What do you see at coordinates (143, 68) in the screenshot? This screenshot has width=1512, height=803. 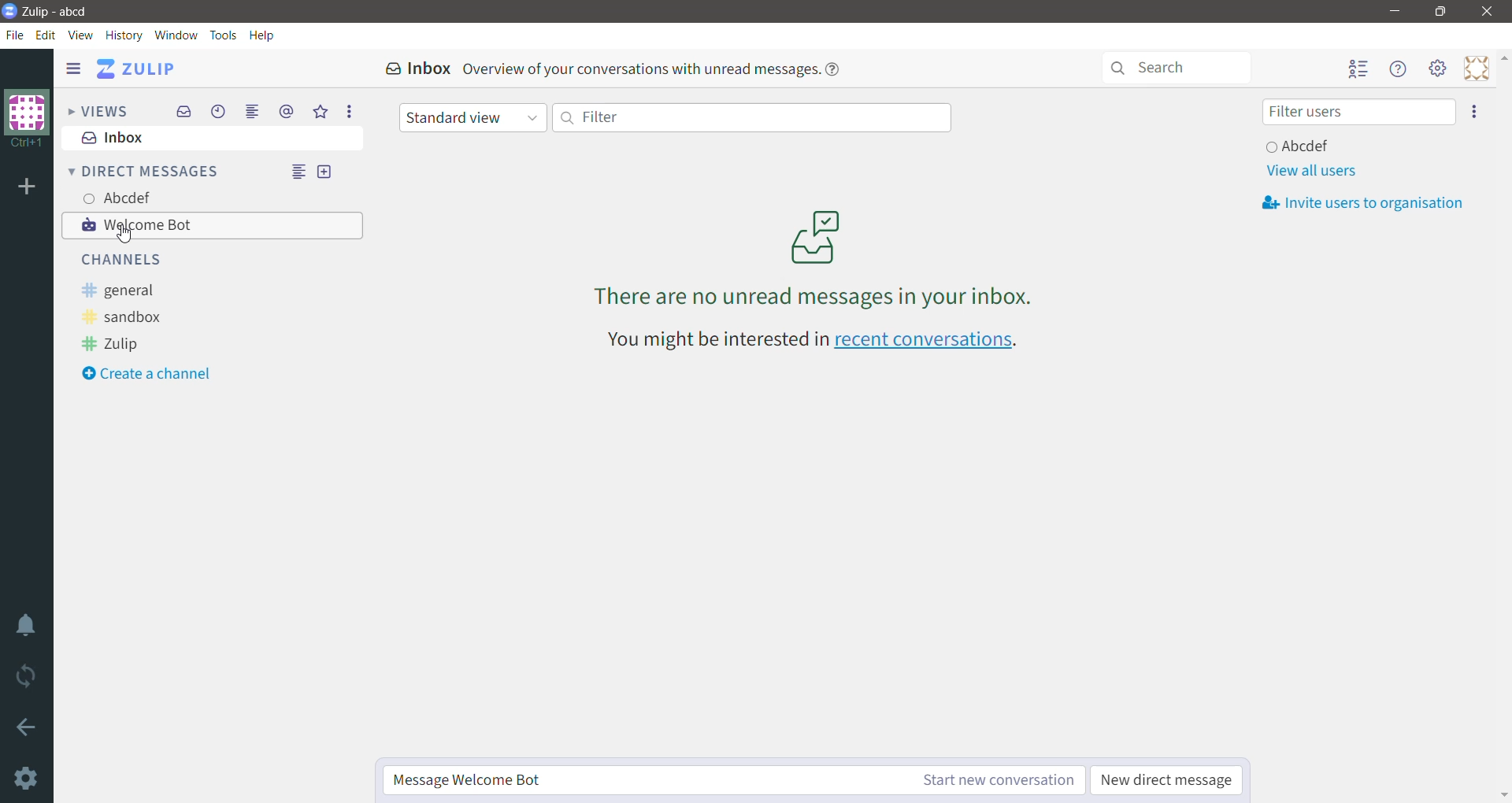 I see `Application` at bounding box center [143, 68].